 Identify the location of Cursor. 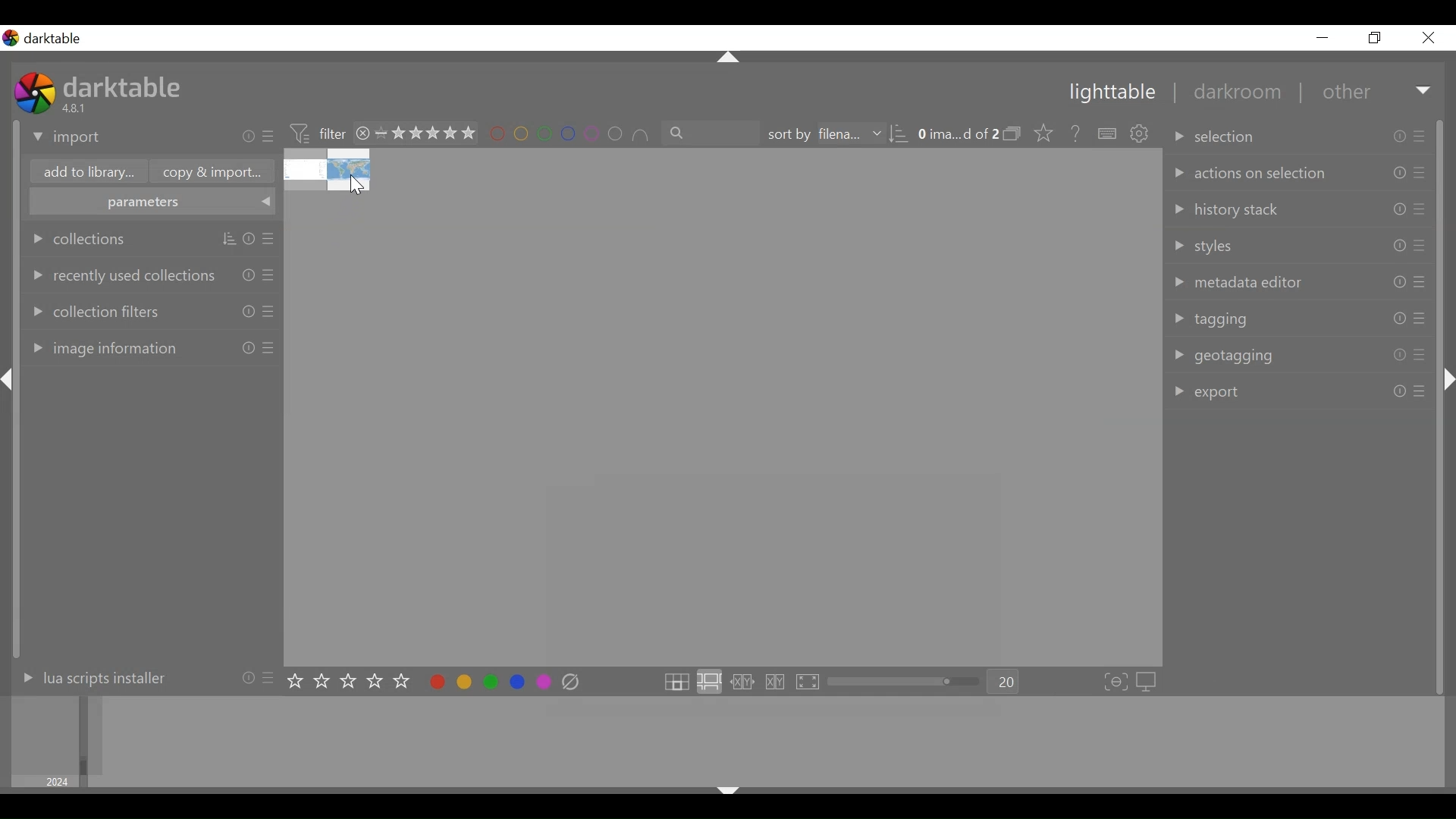
(356, 186).